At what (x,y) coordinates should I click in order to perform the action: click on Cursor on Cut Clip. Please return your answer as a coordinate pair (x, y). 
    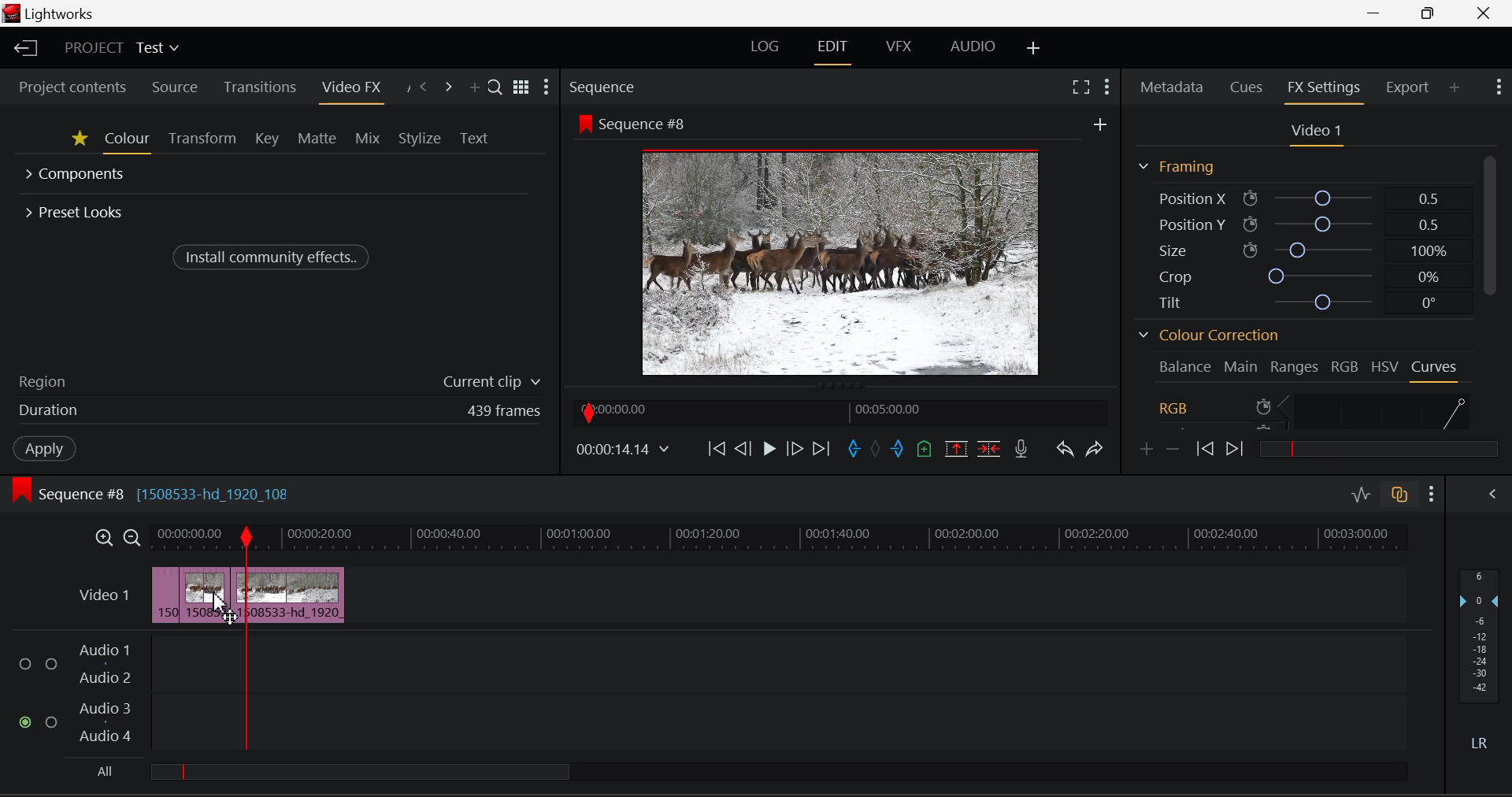
    Looking at the image, I should click on (218, 600).